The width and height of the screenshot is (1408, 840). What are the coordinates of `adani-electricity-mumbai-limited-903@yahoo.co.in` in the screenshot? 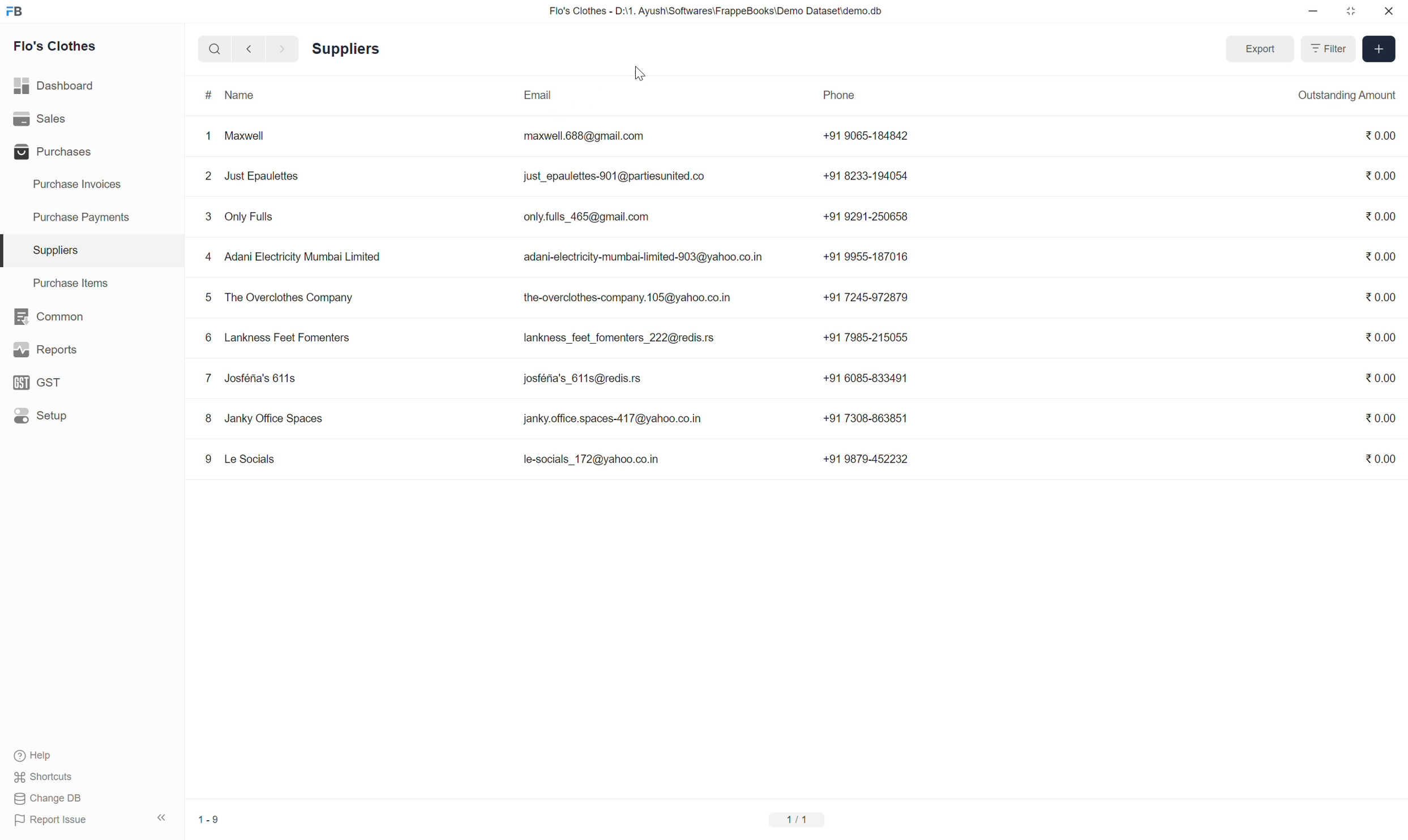 It's located at (646, 259).